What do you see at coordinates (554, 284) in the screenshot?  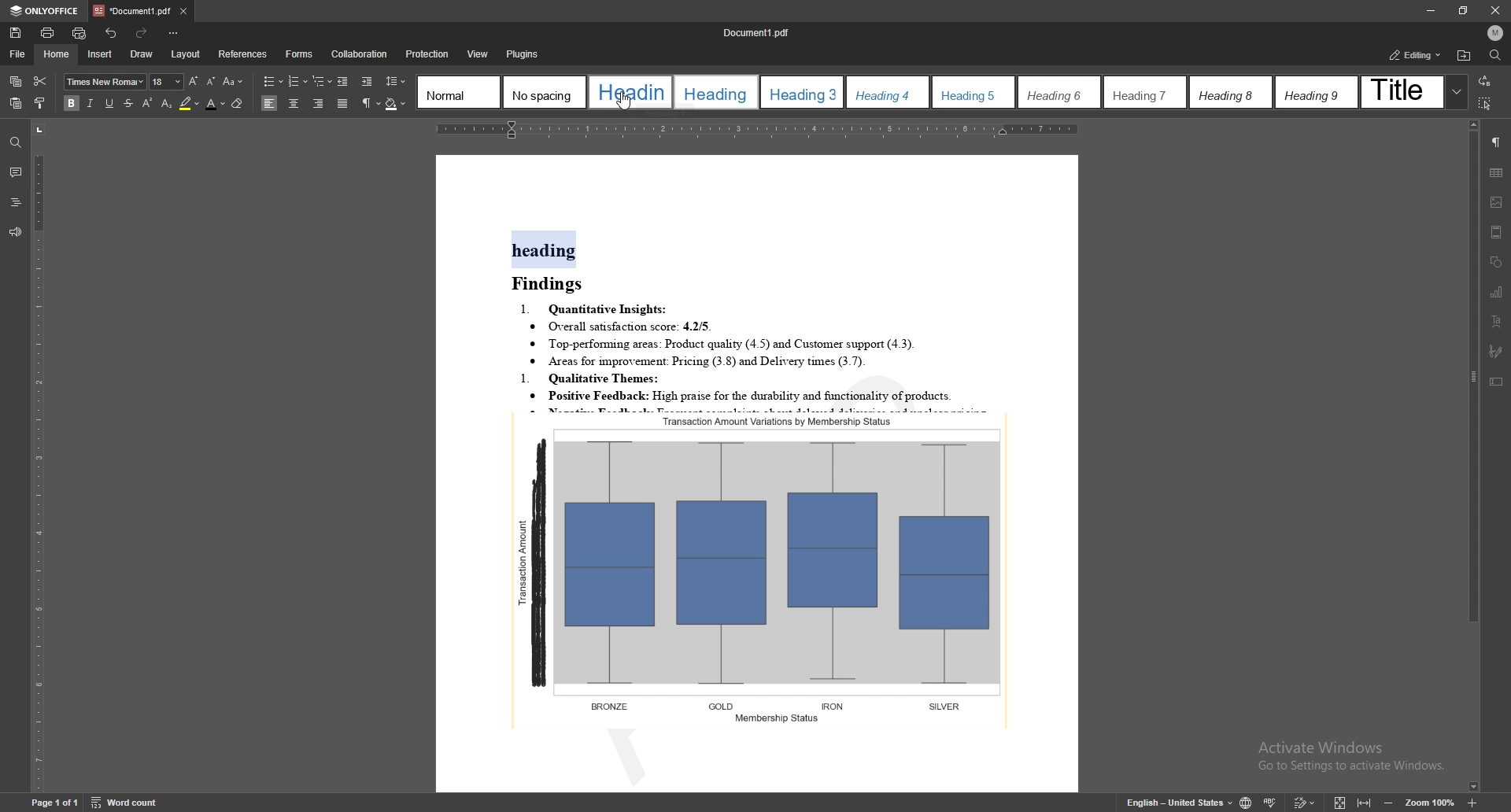 I see `Findings` at bounding box center [554, 284].